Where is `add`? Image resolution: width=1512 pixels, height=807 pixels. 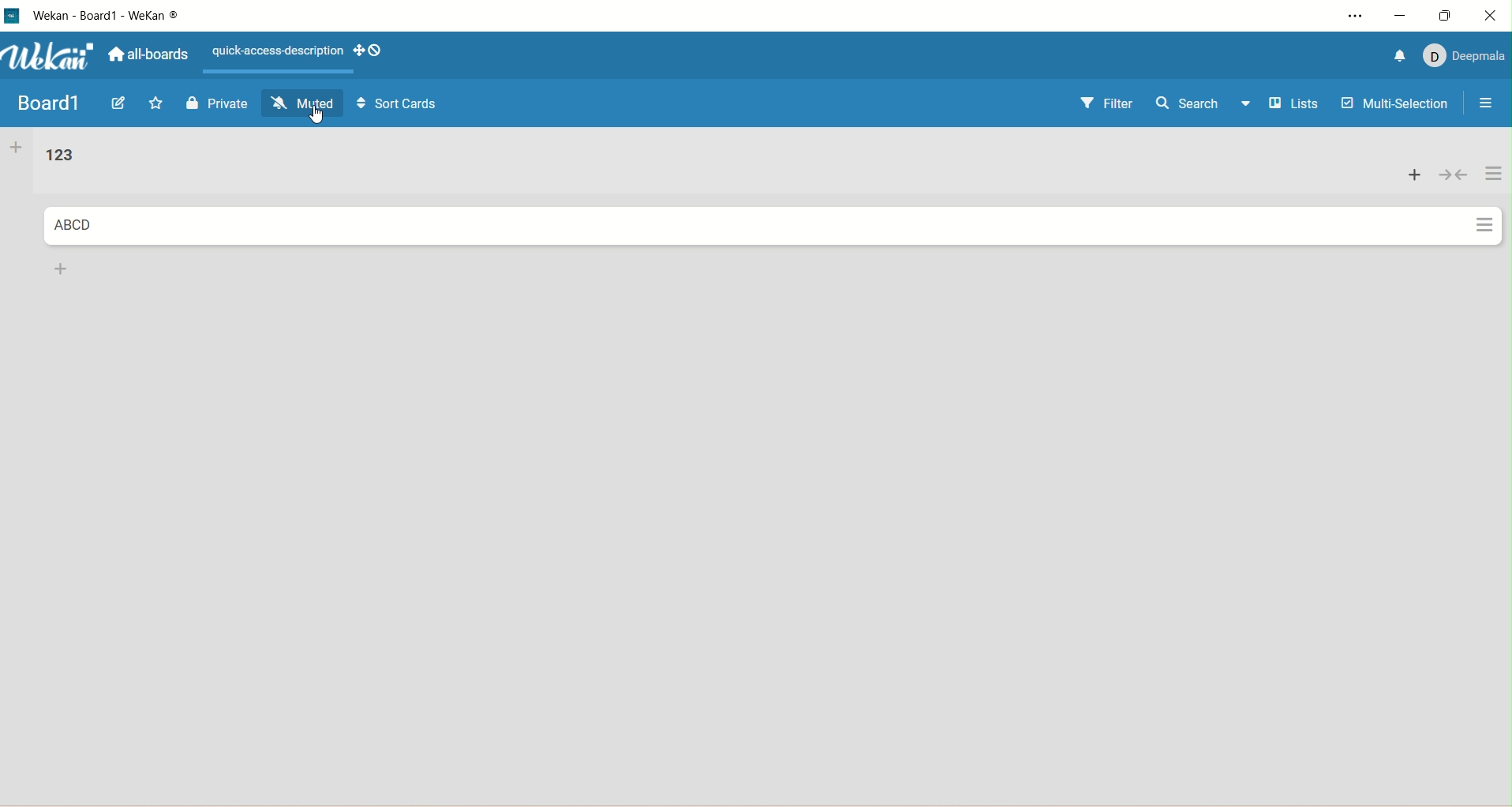
add is located at coordinates (1415, 174).